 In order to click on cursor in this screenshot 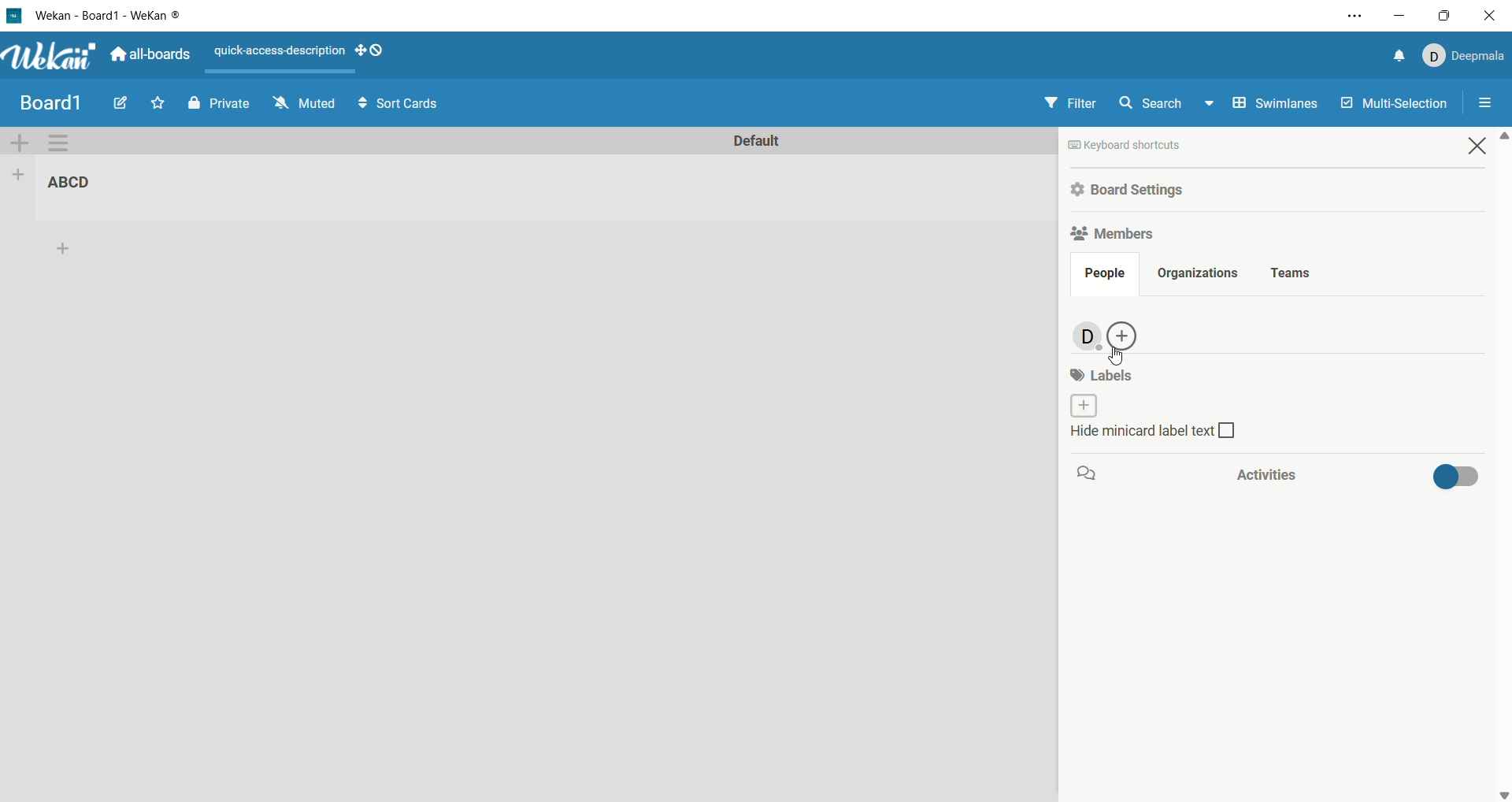, I will do `click(1121, 357)`.